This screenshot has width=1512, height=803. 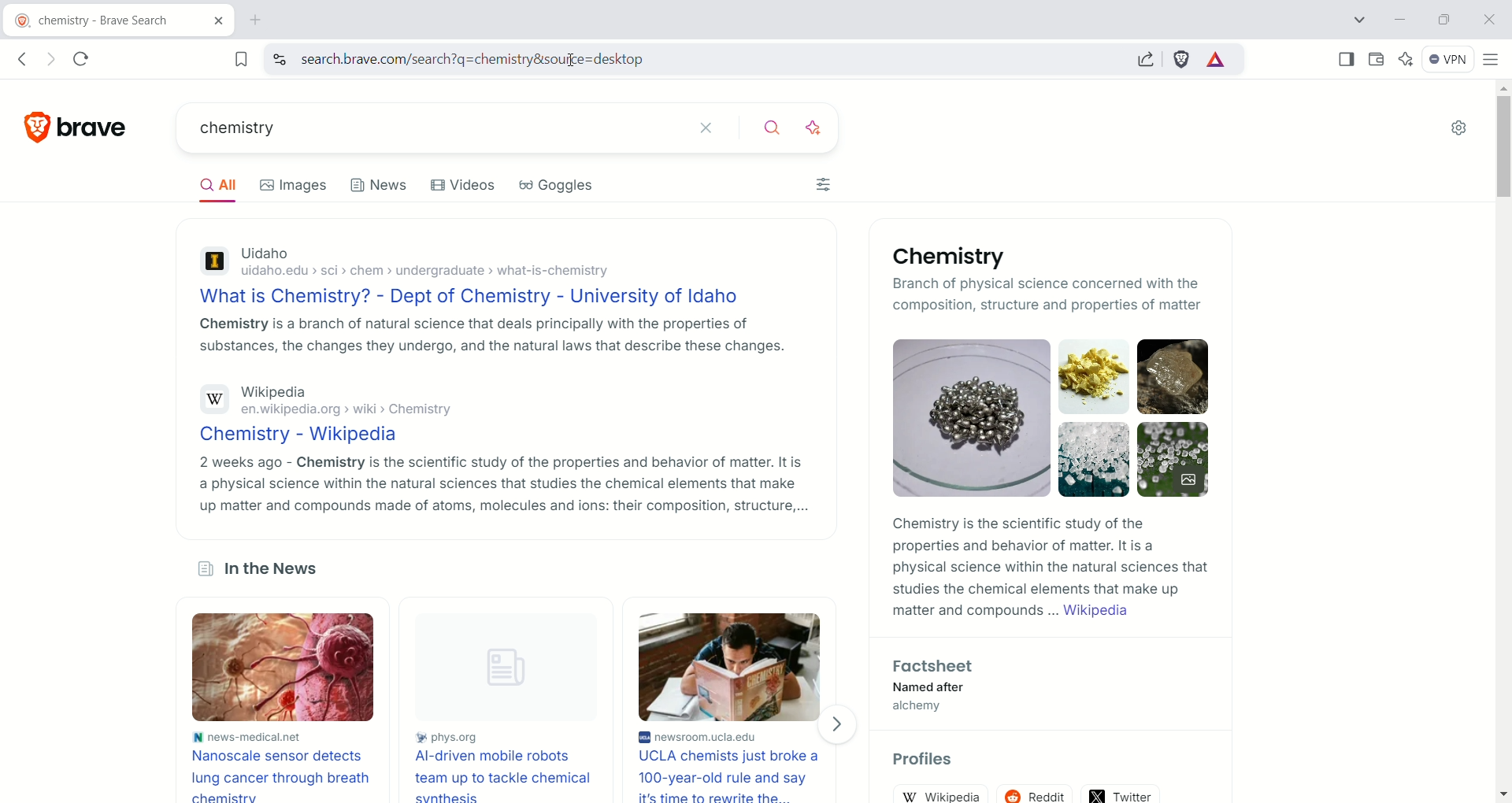 I want to click on images, so click(x=293, y=187).